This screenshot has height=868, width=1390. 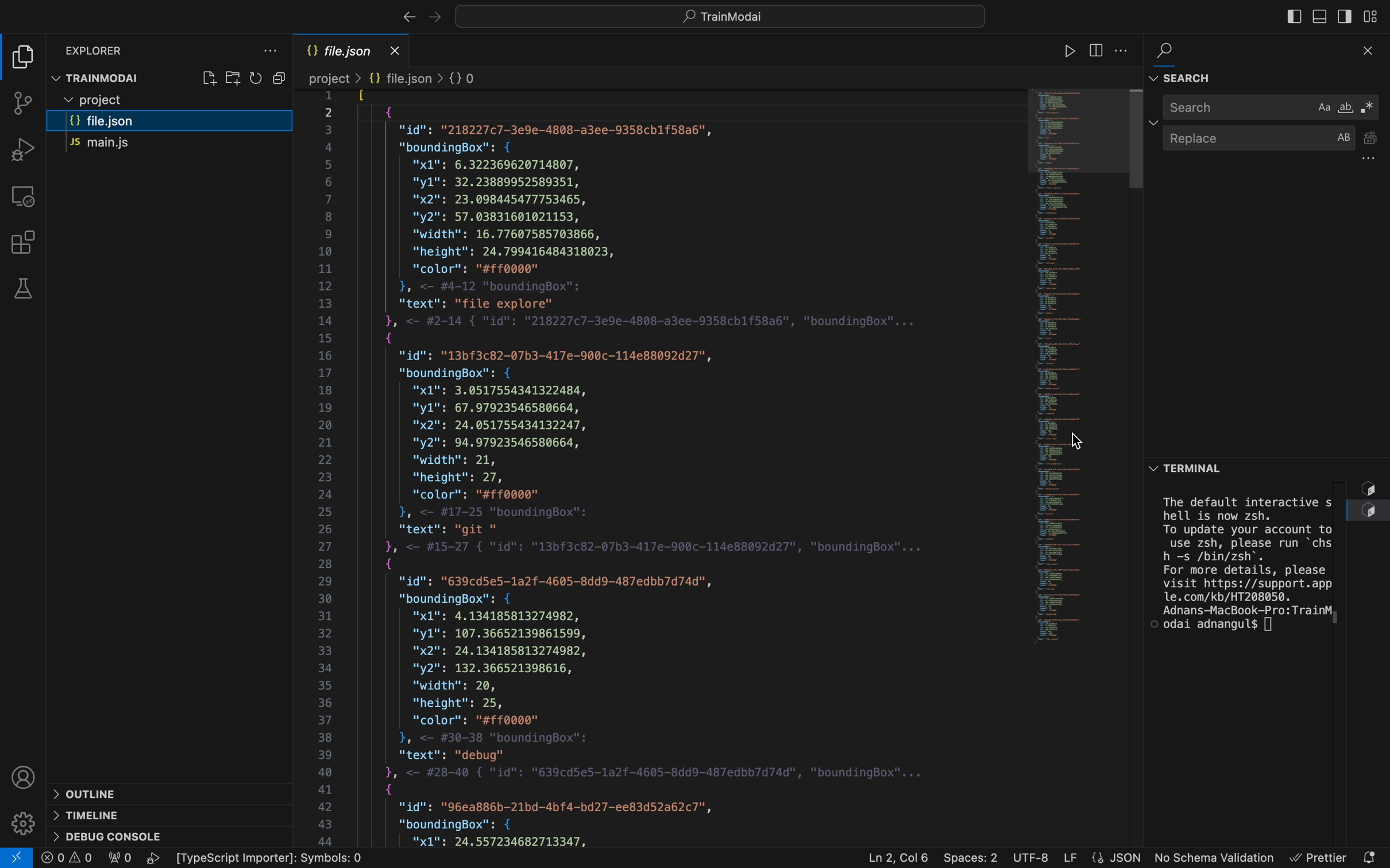 I want to click on toggle secondary bar, so click(x=1342, y=14).